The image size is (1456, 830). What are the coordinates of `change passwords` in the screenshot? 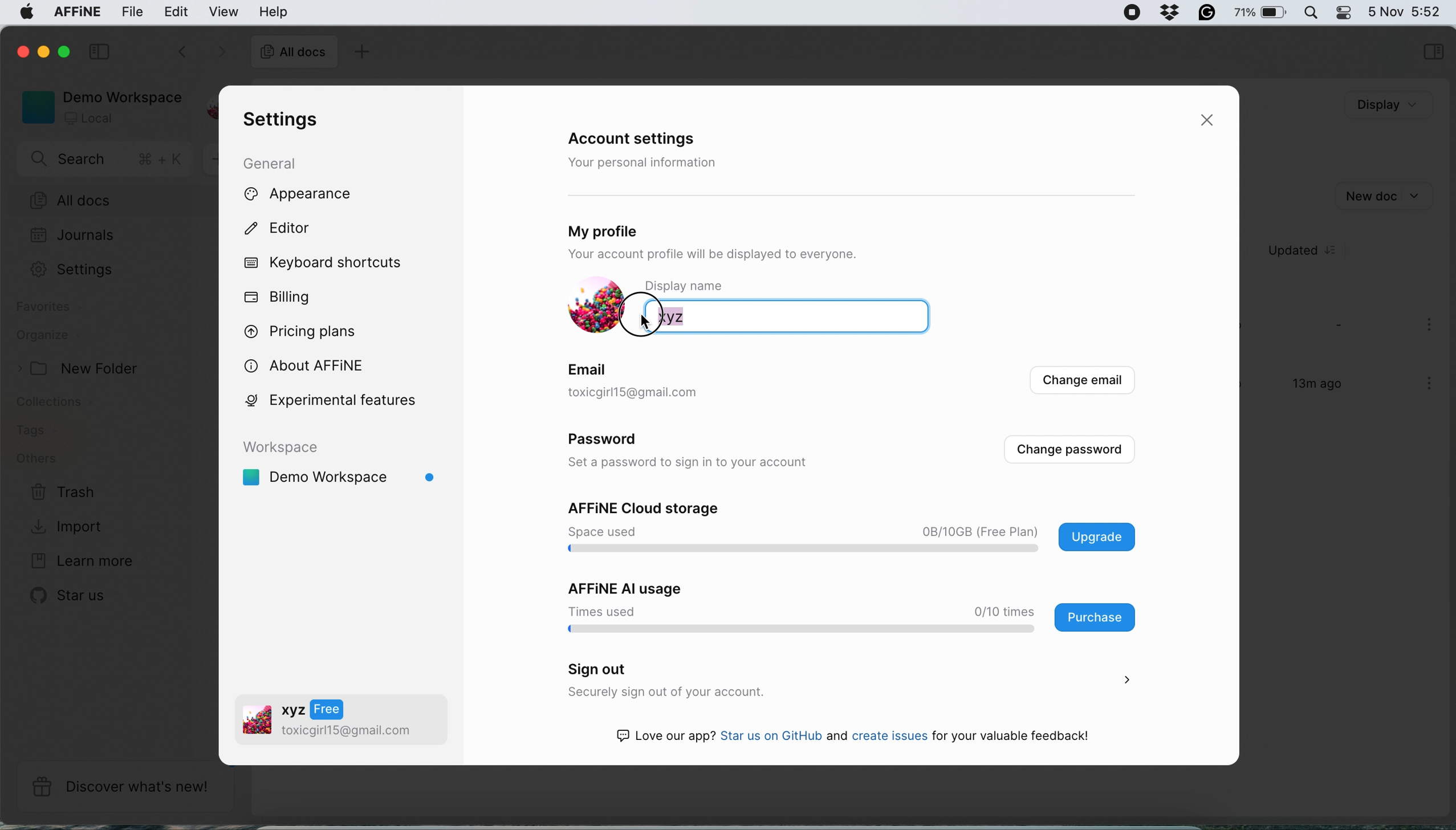 It's located at (1069, 450).